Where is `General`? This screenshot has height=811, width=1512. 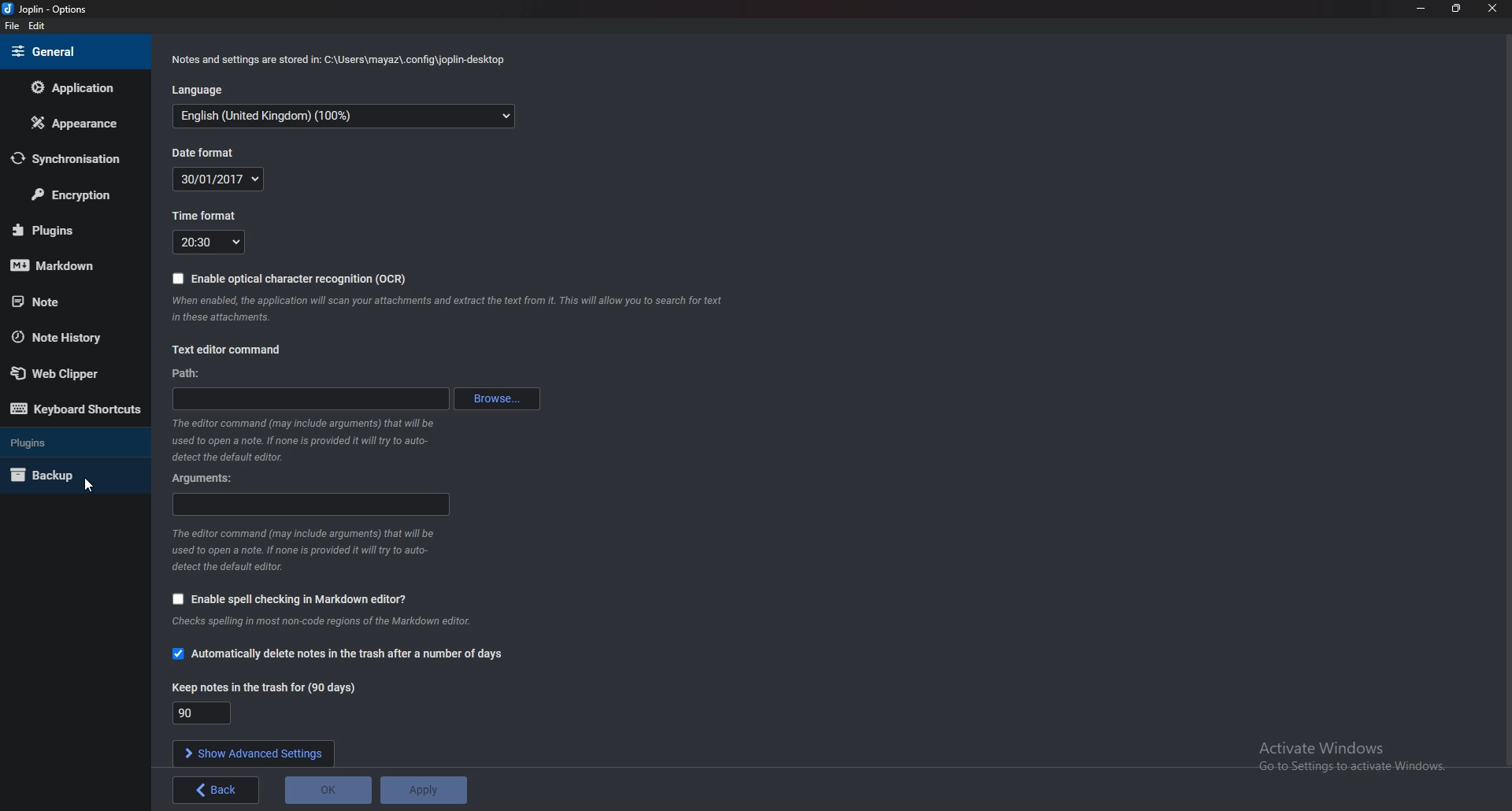 General is located at coordinates (72, 50).